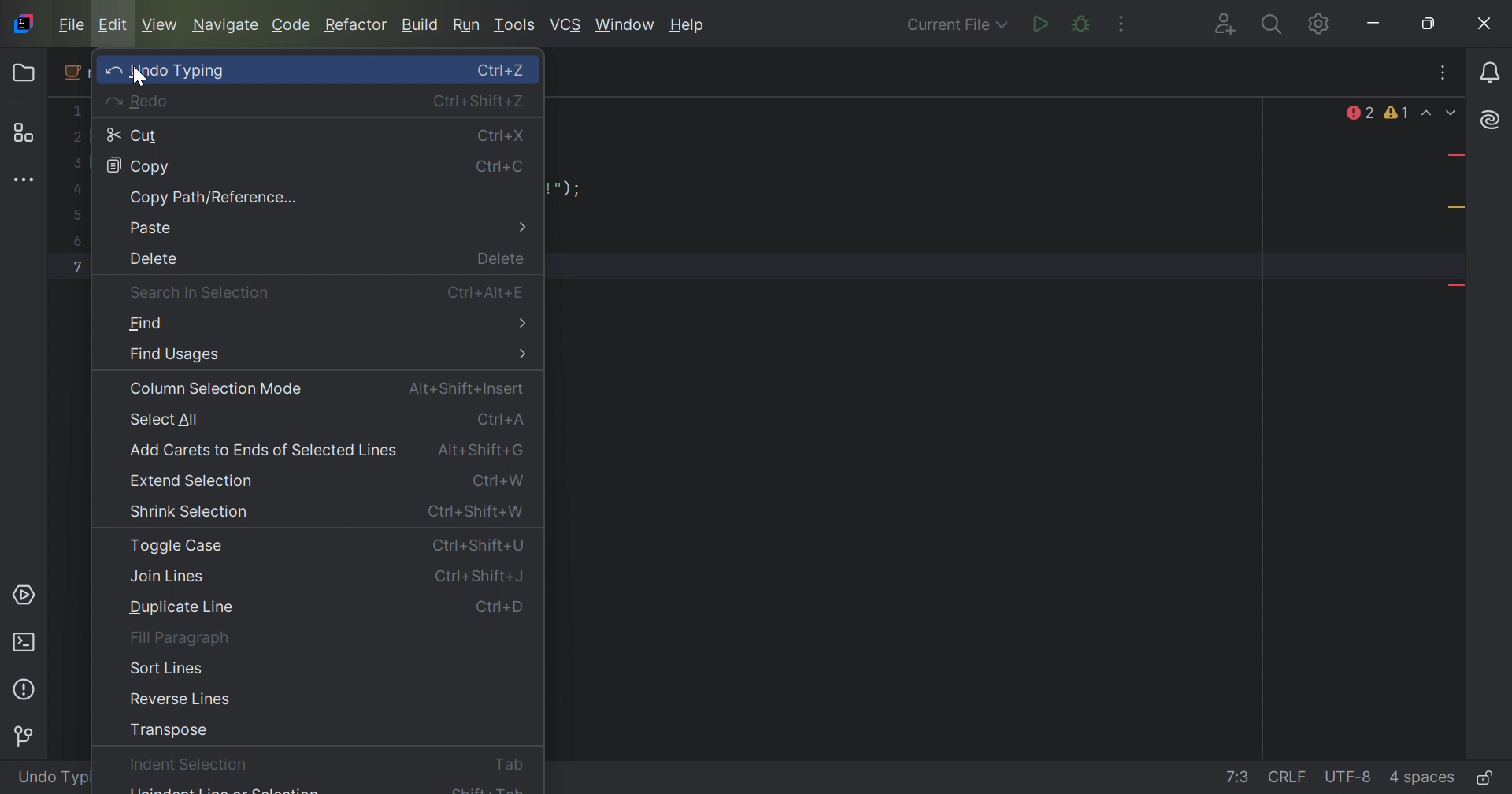 The height and width of the screenshot is (794, 1512). Describe the element at coordinates (169, 72) in the screenshot. I see `Undo Typing` at that location.